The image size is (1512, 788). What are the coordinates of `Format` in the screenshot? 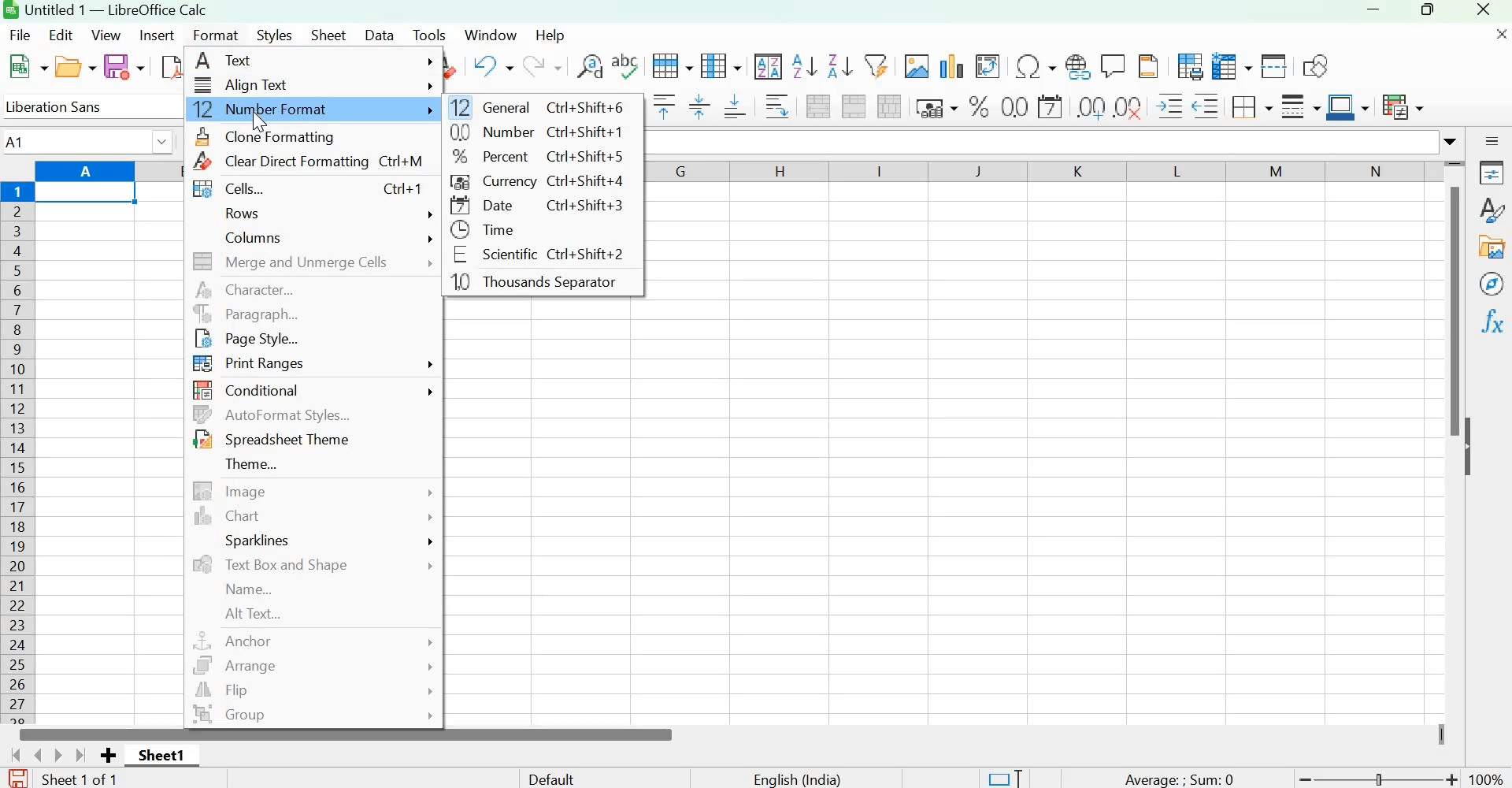 It's located at (217, 34).